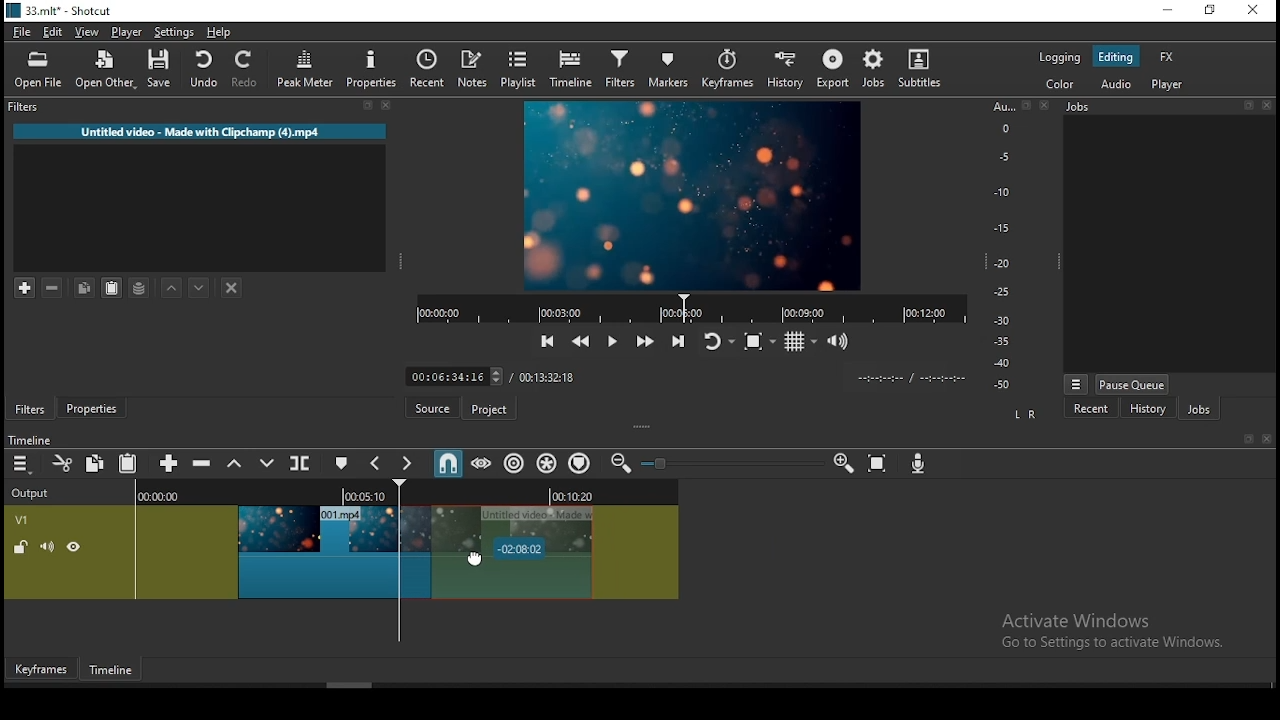 This screenshot has width=1280, height=720. I want to click on jobs, so click(1198, 411).